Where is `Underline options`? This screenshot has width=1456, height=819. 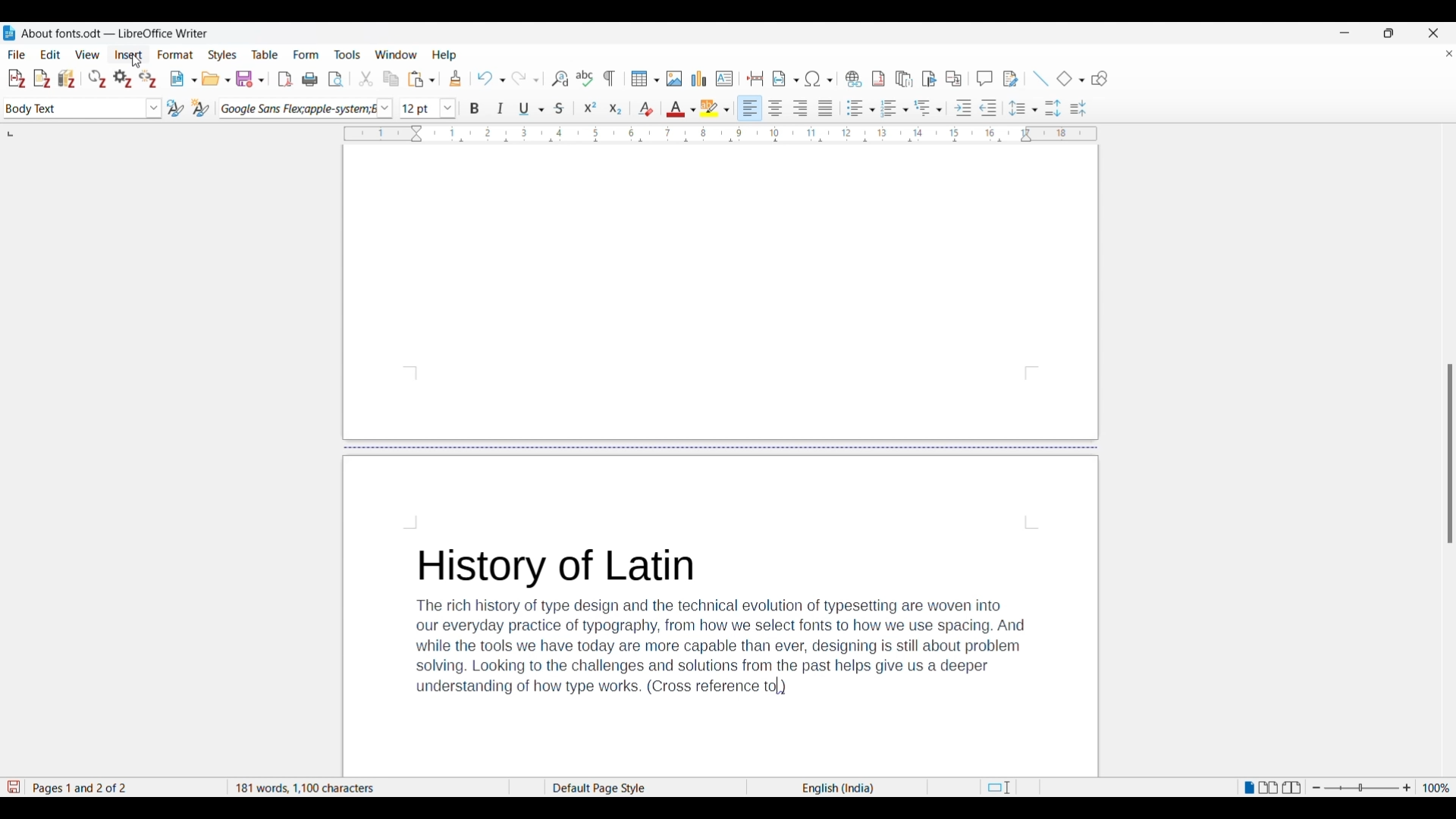 Underline options is located at coordinates (531, 108).